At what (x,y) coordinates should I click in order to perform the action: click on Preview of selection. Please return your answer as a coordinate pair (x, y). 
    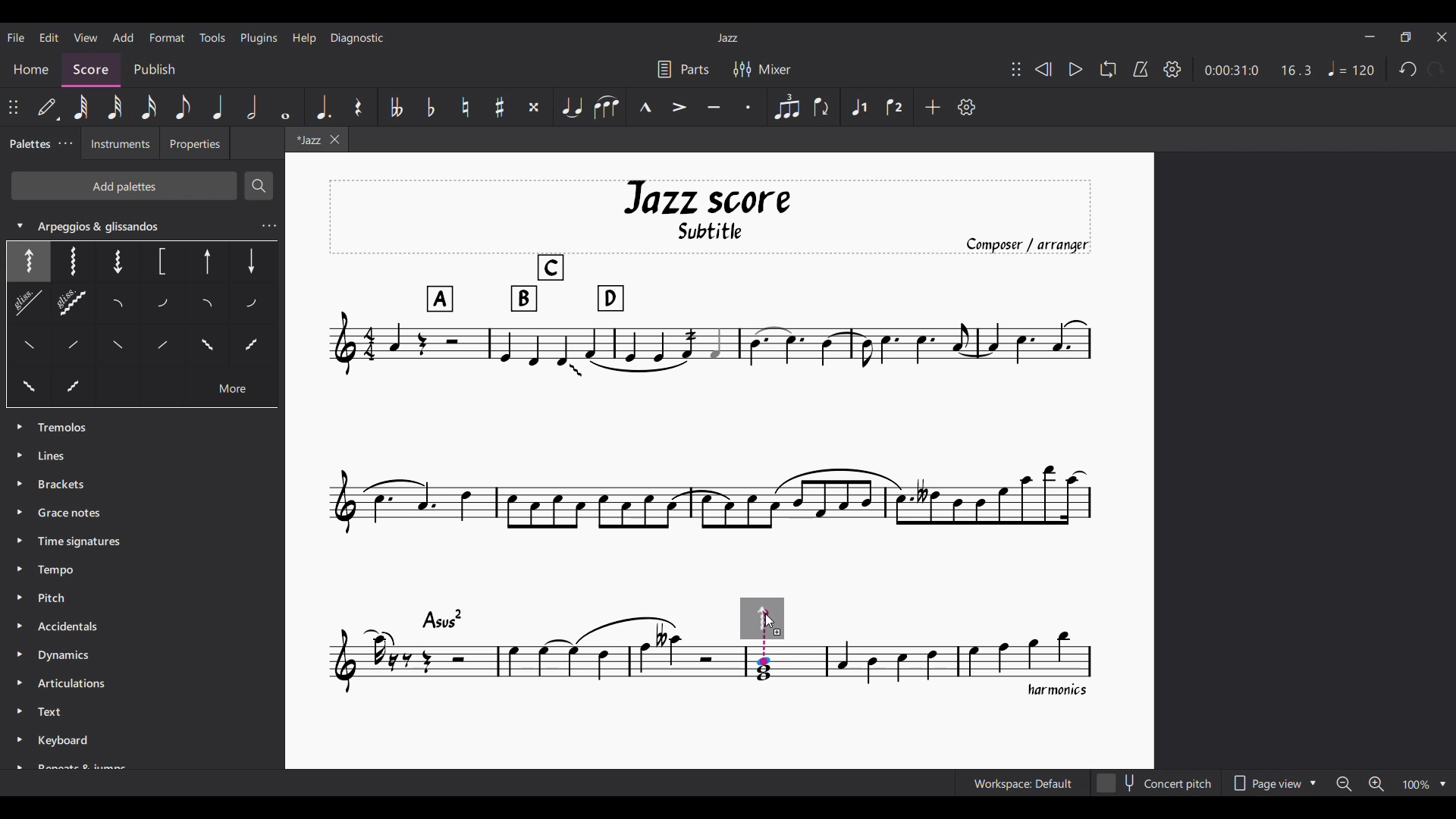
    Looking at the image, I should click on (762, 618).